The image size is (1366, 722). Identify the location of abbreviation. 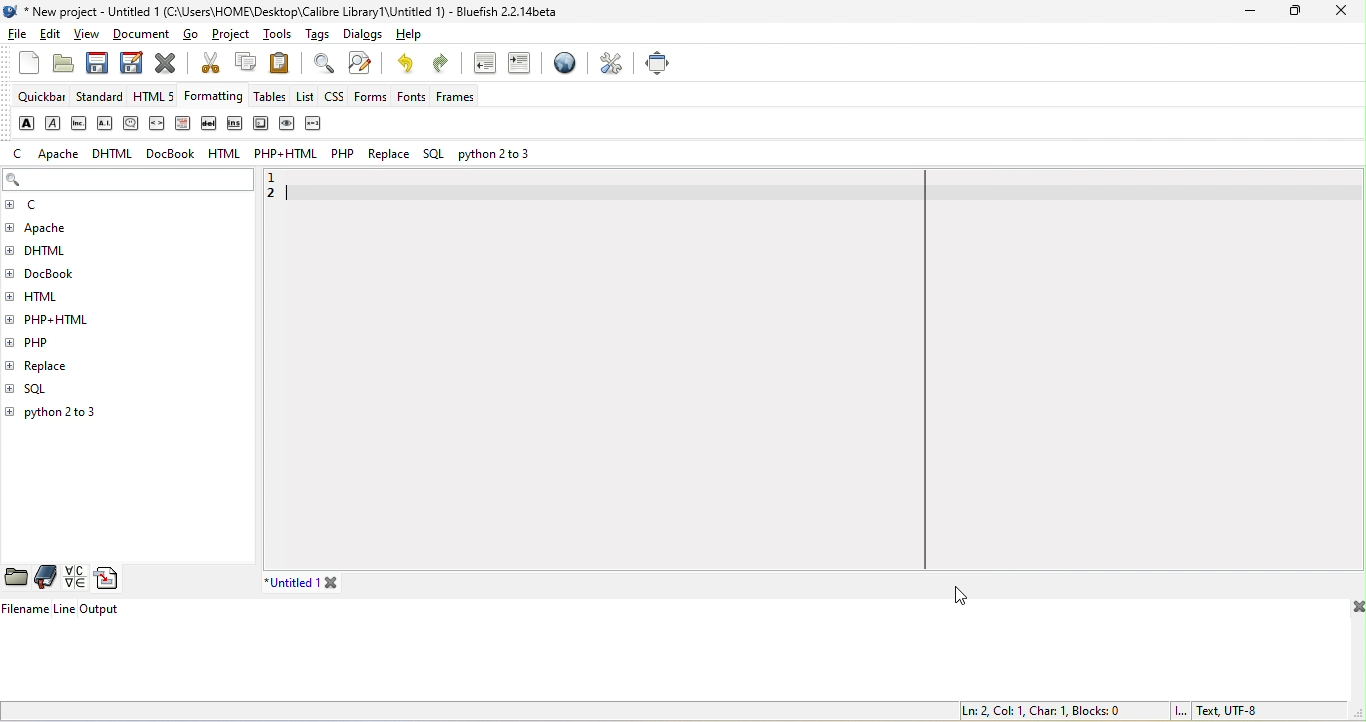
(81, 122).